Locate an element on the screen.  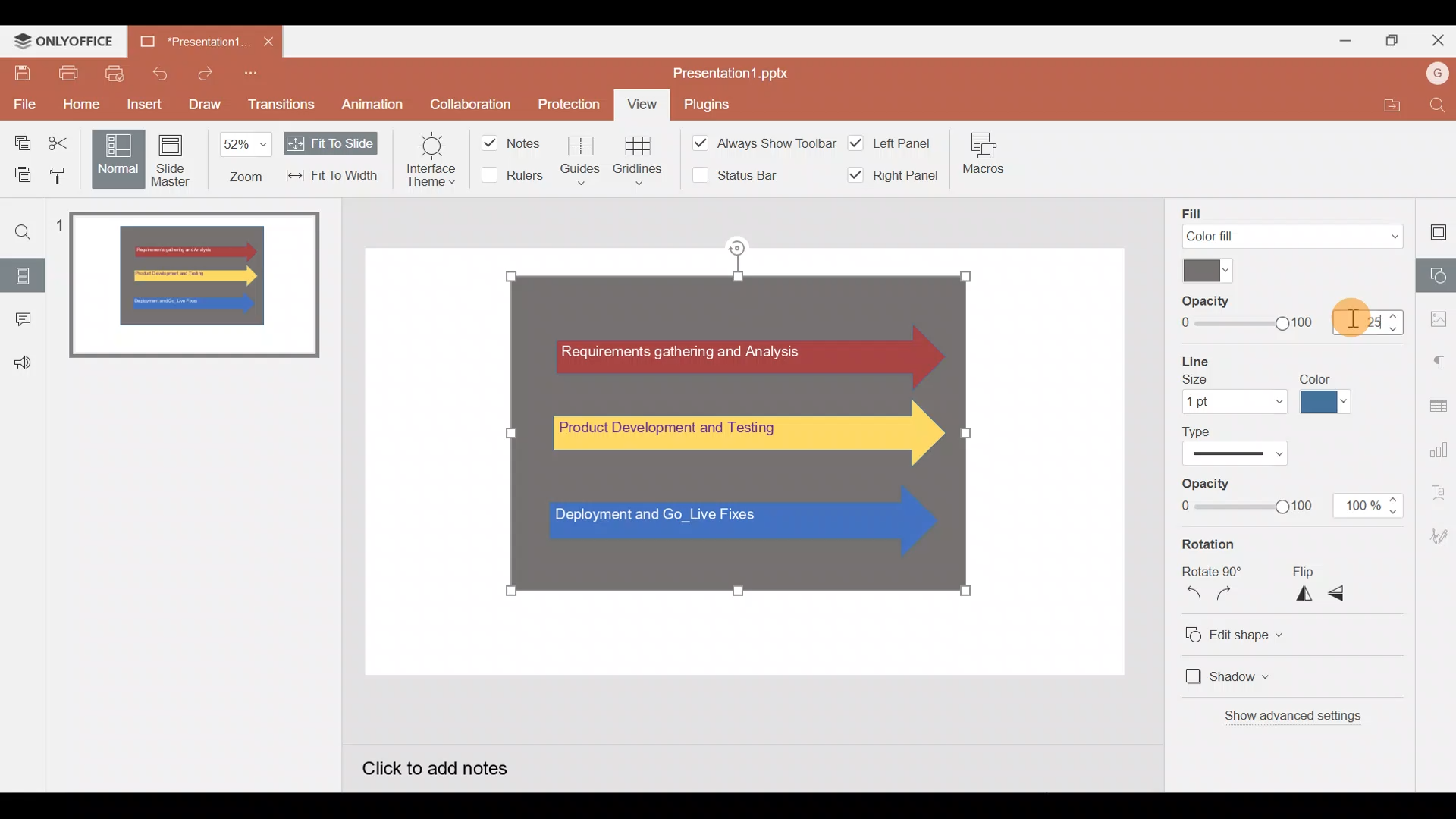
Maximize is located at coordinates (1393, 42).